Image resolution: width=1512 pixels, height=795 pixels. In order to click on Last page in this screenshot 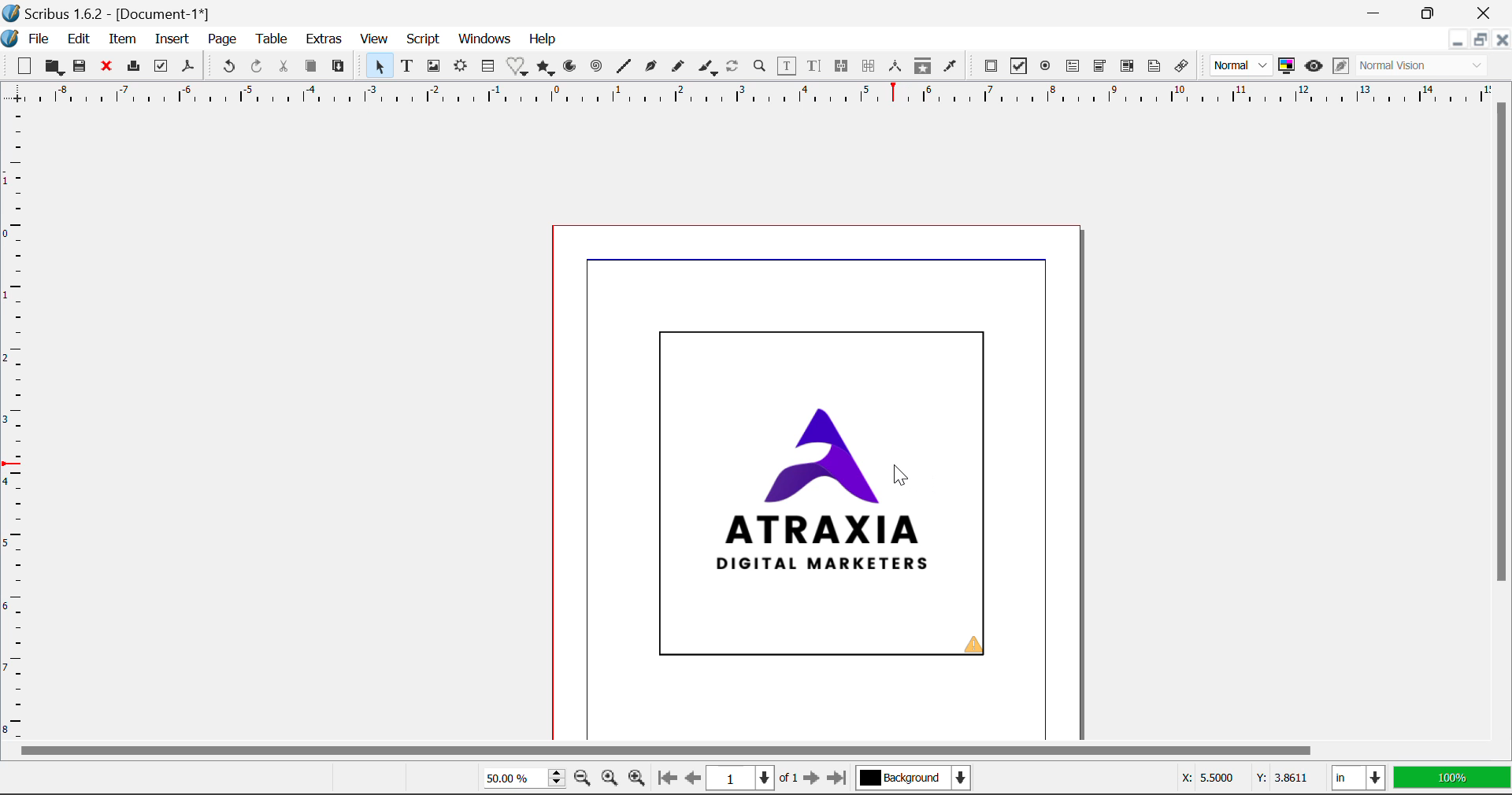, I will do `click(840, 775)`.